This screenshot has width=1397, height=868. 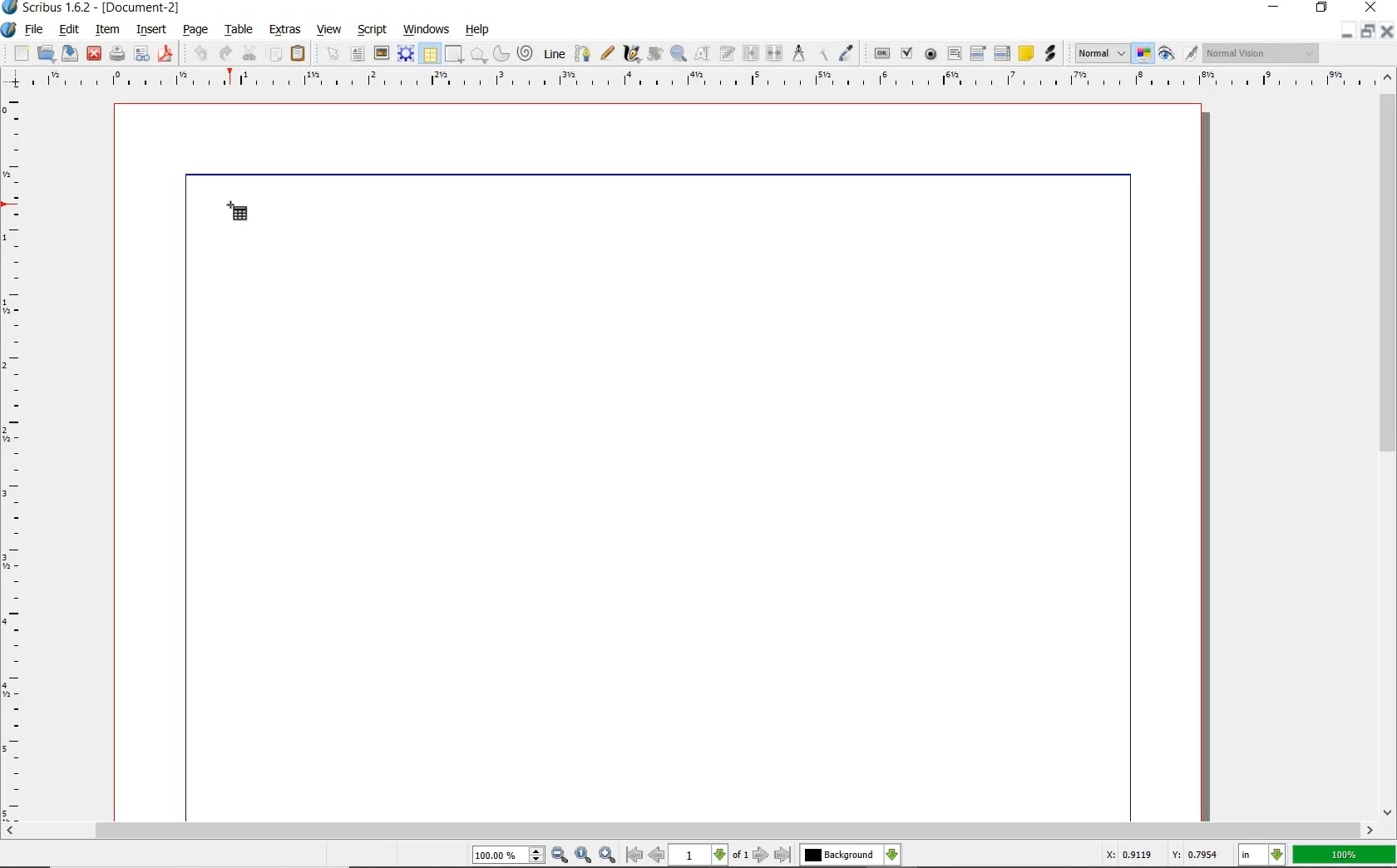 What do you see at coordinates (1164, 55) in the screenshot?
I see `preview mode` at bounding box center [1164, 55].